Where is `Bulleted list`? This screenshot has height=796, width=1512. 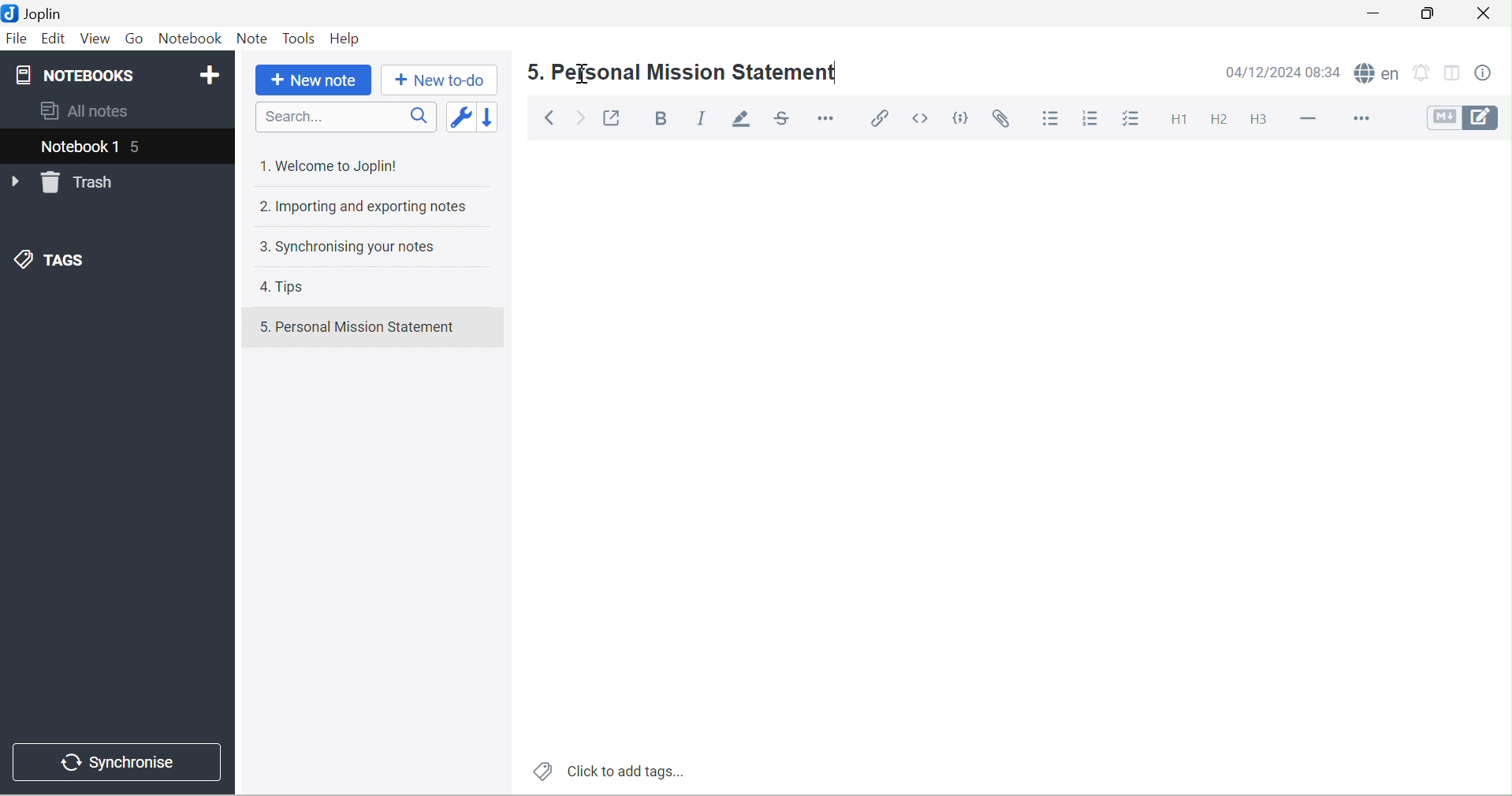 Bulleted list is located at coordinates (1056, 121).